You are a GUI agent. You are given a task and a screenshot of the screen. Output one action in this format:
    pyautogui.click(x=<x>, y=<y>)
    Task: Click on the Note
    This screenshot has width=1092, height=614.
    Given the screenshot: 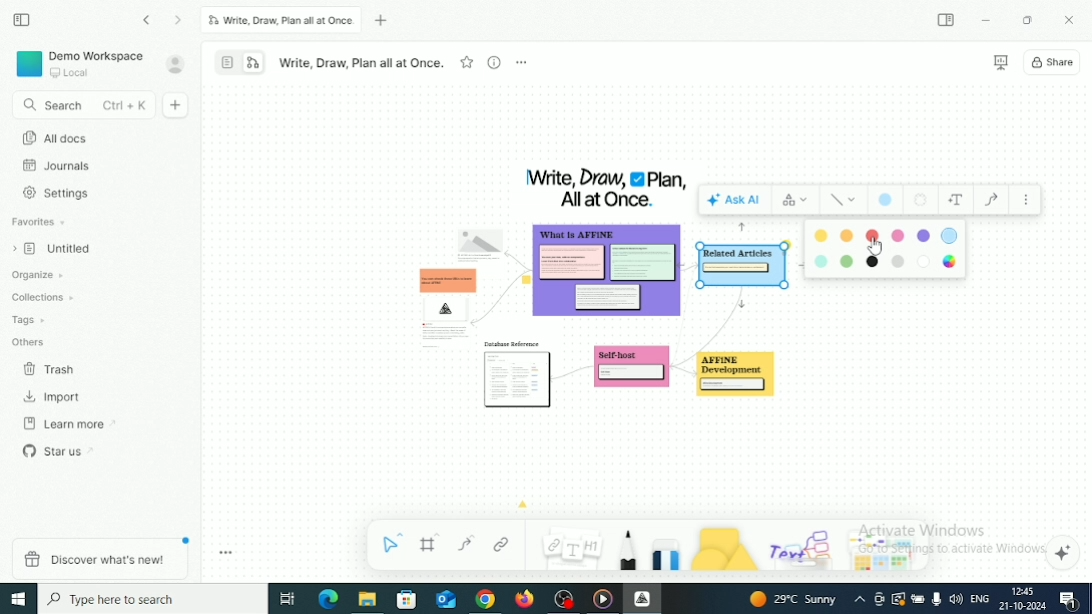 What is the action you would take?
    pyautogui.click(x=570, y=546)
    